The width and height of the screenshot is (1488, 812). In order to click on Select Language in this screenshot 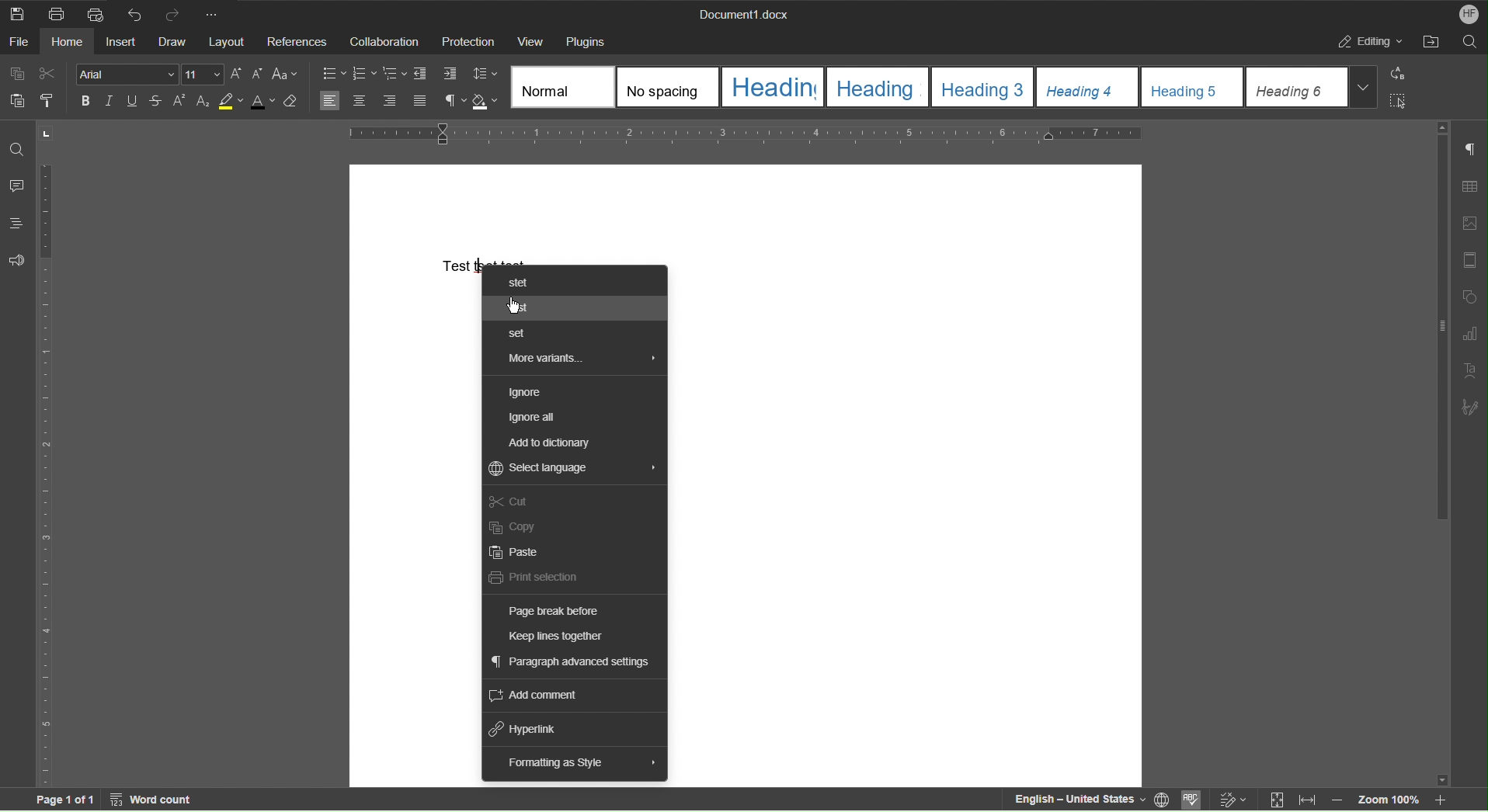, I will do `click(574, 473)`.